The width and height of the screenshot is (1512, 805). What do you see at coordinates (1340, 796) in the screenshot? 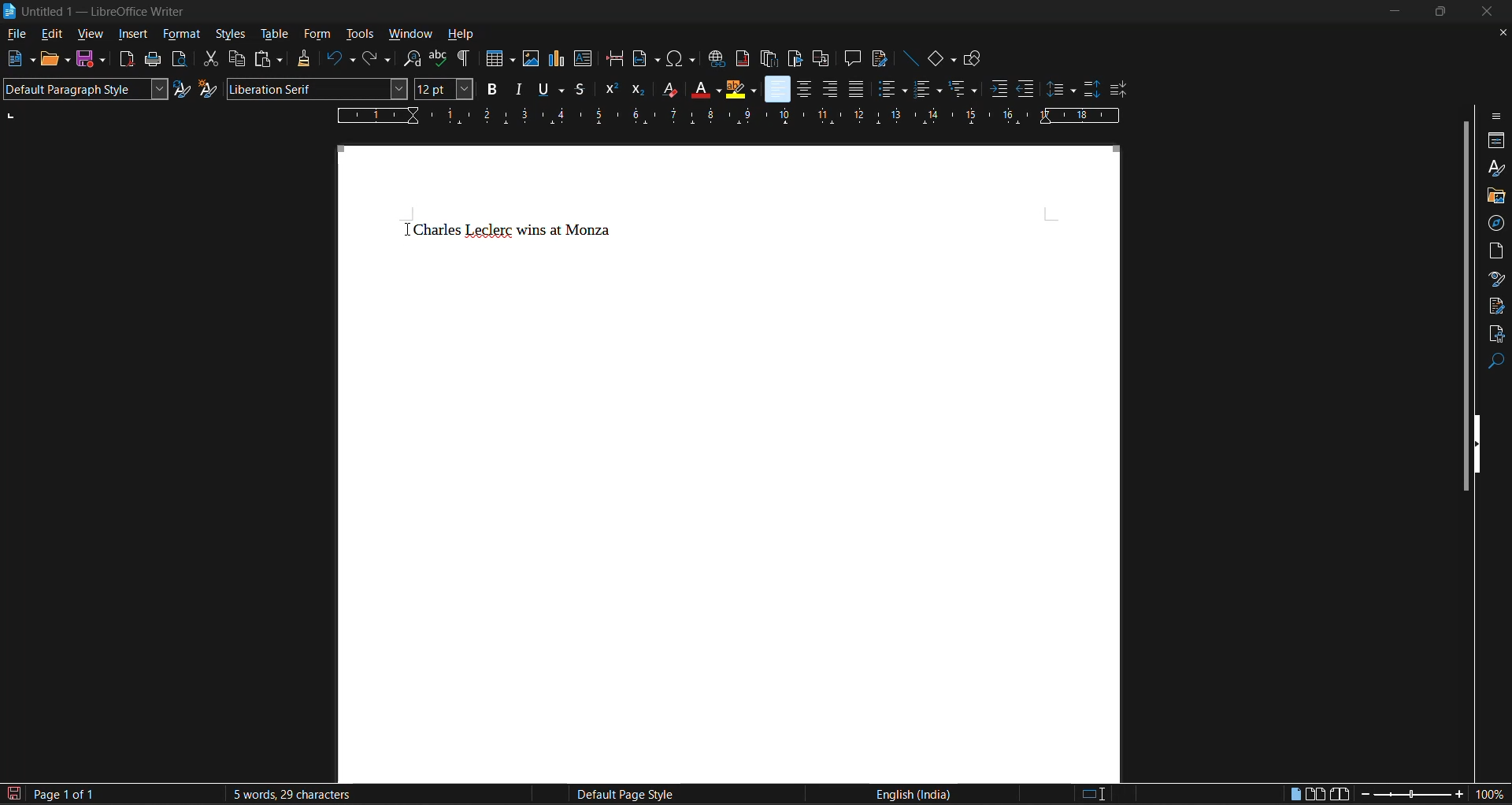
I see `book view` at bounding box center [1340, 796].